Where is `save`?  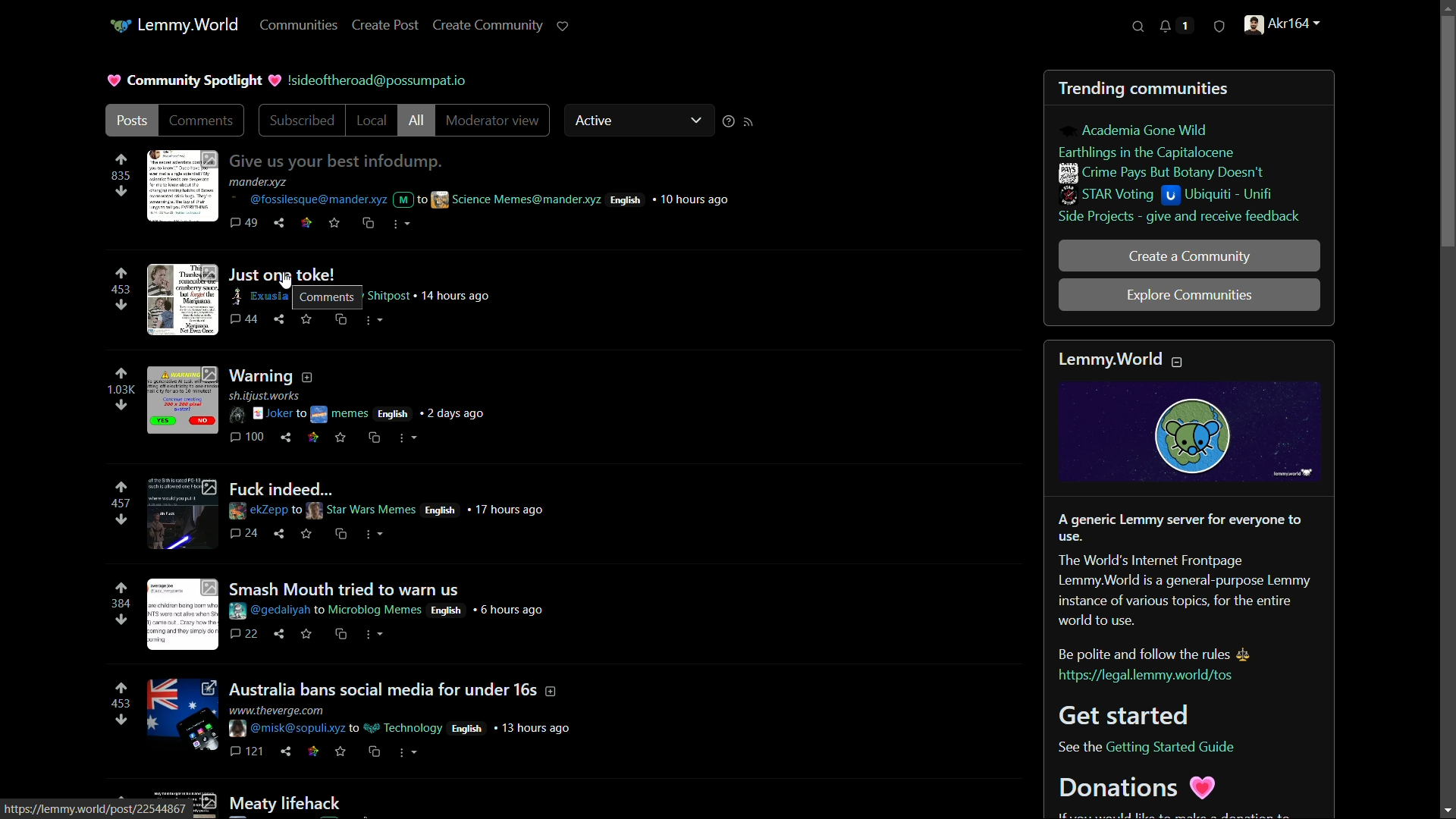 save is located at coordinates (309, 535).